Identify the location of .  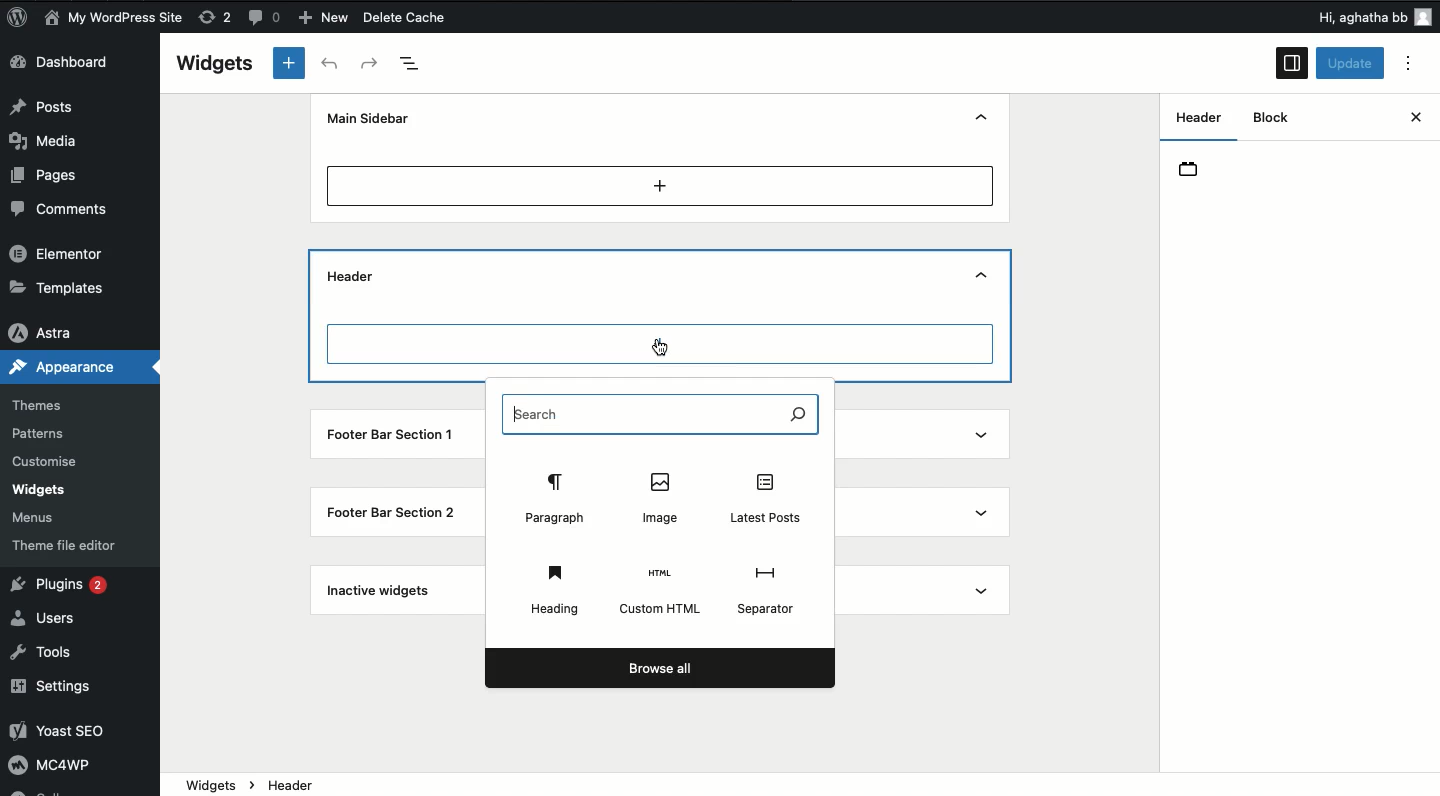
(1337, 17).